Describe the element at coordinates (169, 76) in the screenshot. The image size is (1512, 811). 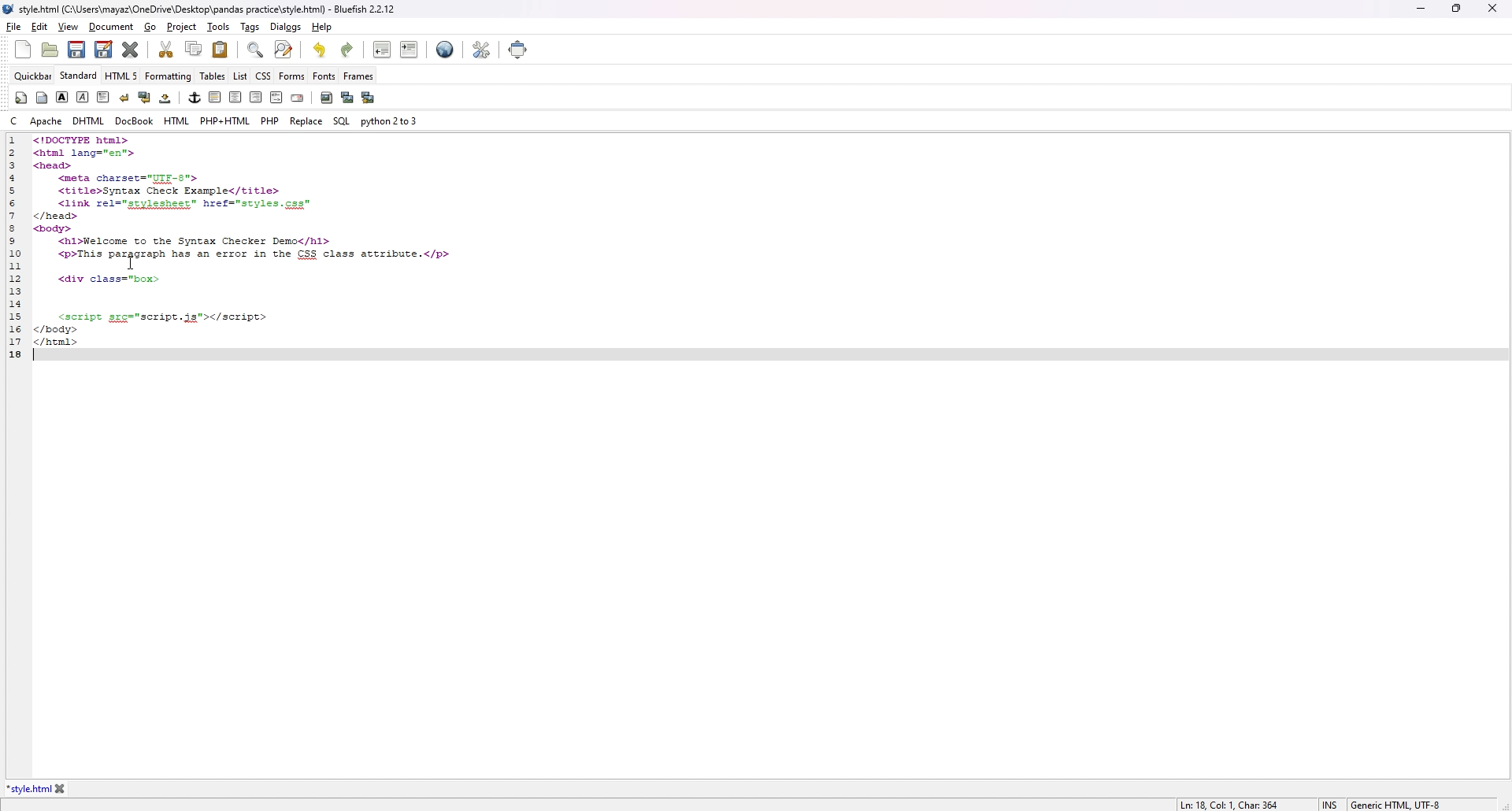
I see `formatting` at that location.